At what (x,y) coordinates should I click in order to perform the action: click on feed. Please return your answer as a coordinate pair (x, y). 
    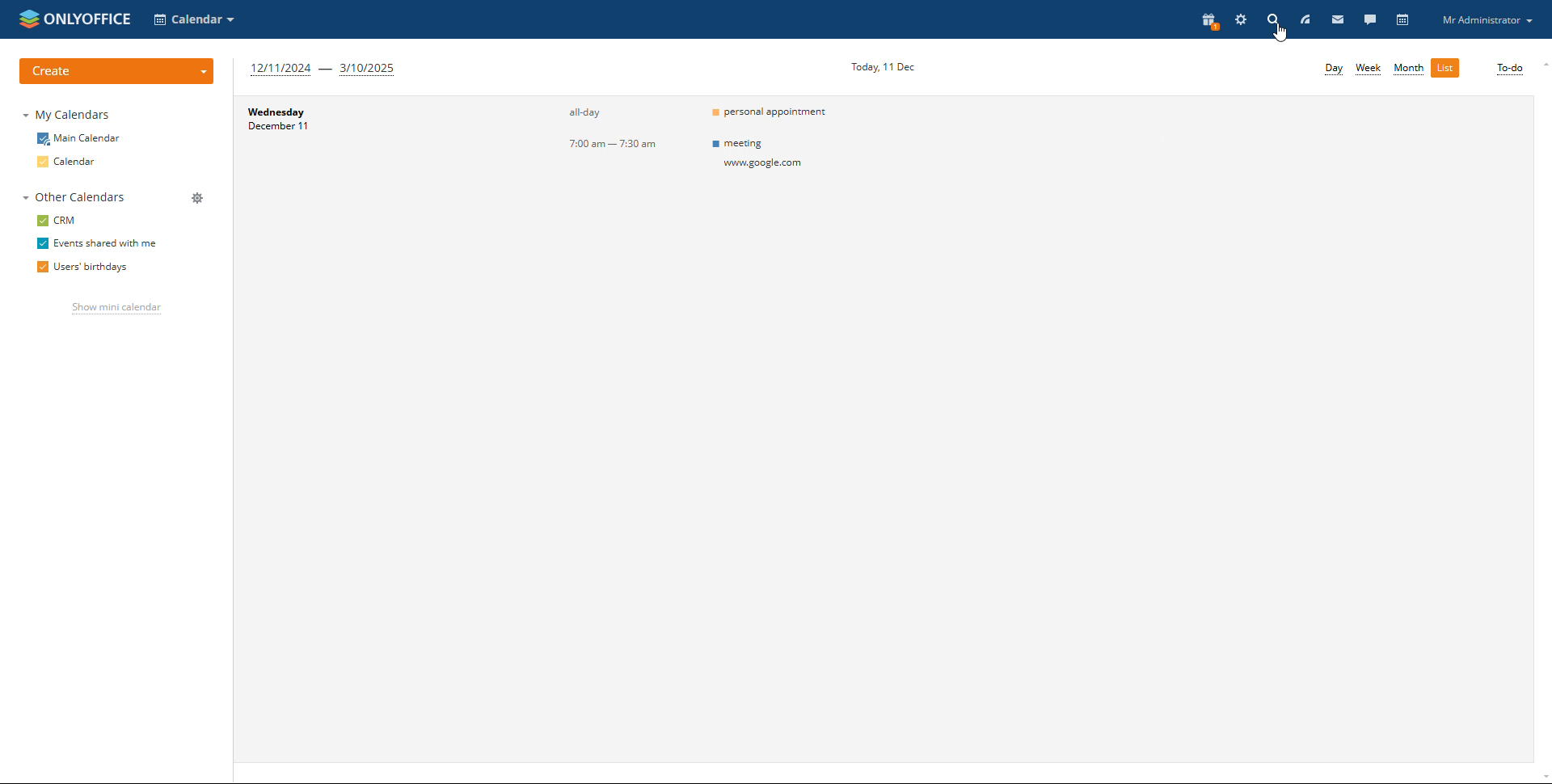
    Looking at the image, I should click on (1305, 20).